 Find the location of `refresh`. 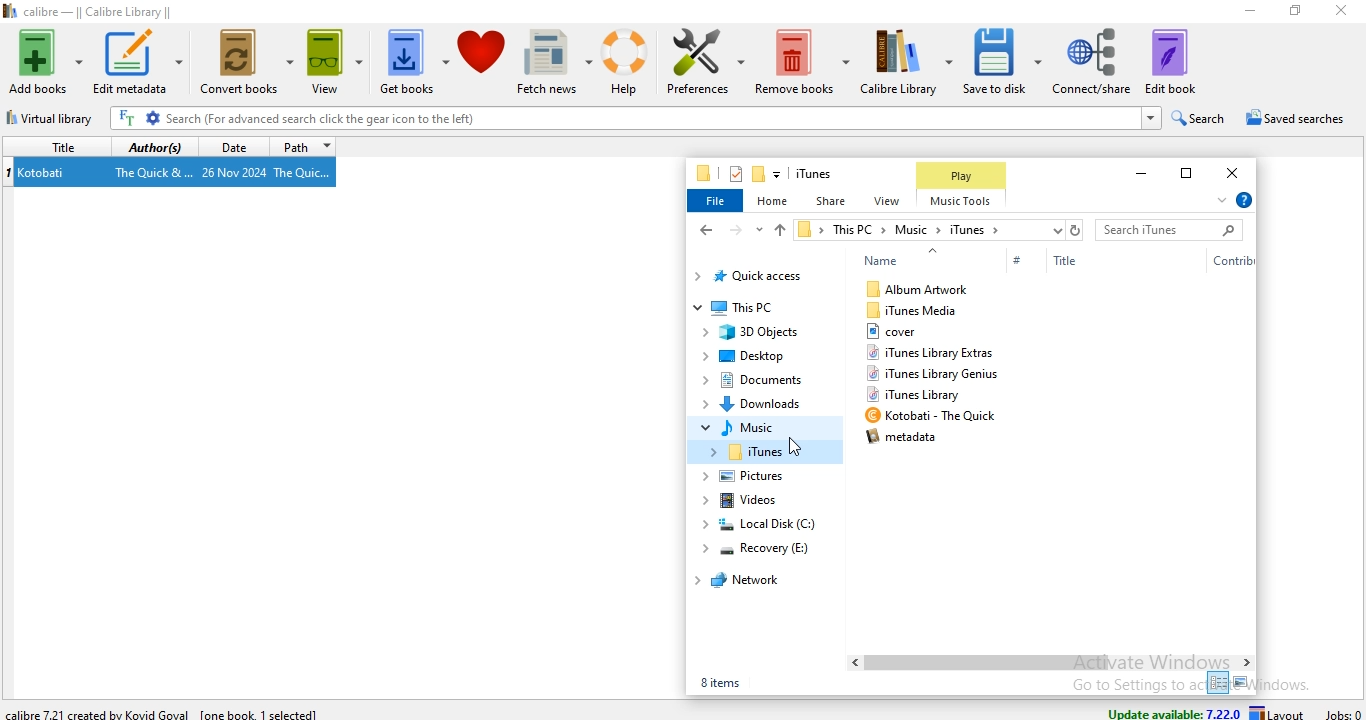

refresh is located at coordinates (1075, 229).